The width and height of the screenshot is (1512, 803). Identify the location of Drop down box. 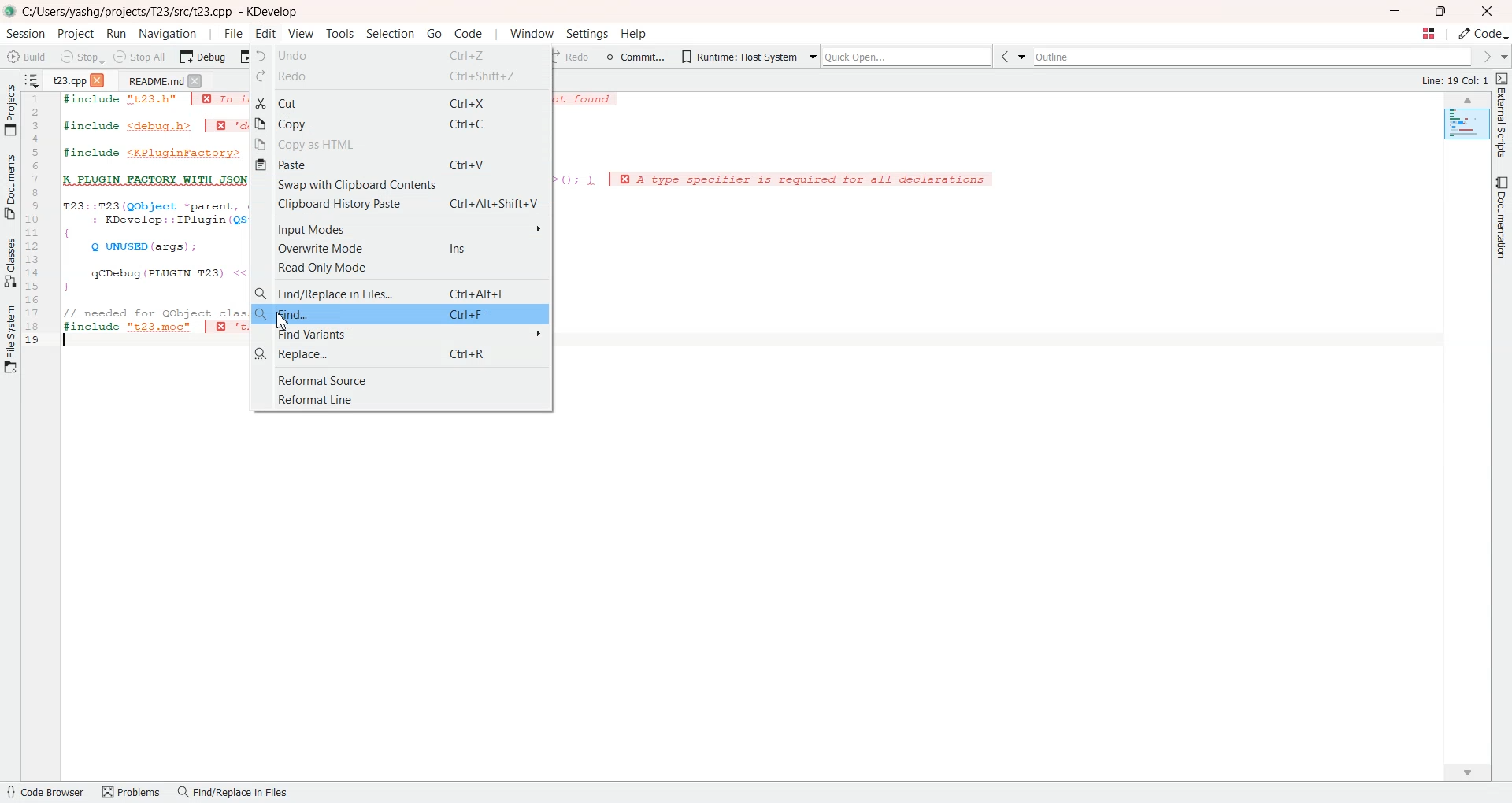
(1025, 57).